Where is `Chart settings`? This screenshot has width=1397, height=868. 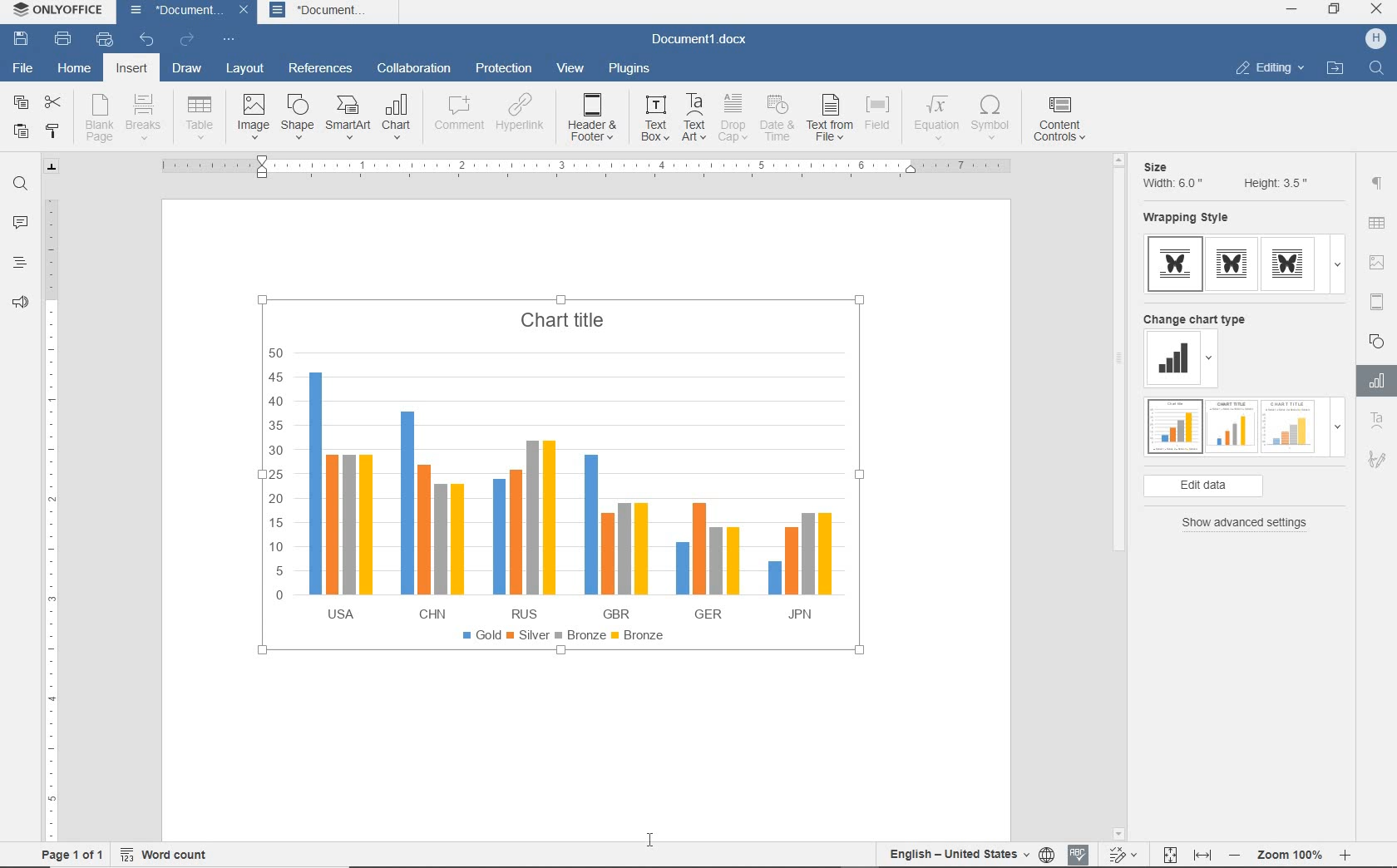 Chart settings is located at coordinates (1374, 381).